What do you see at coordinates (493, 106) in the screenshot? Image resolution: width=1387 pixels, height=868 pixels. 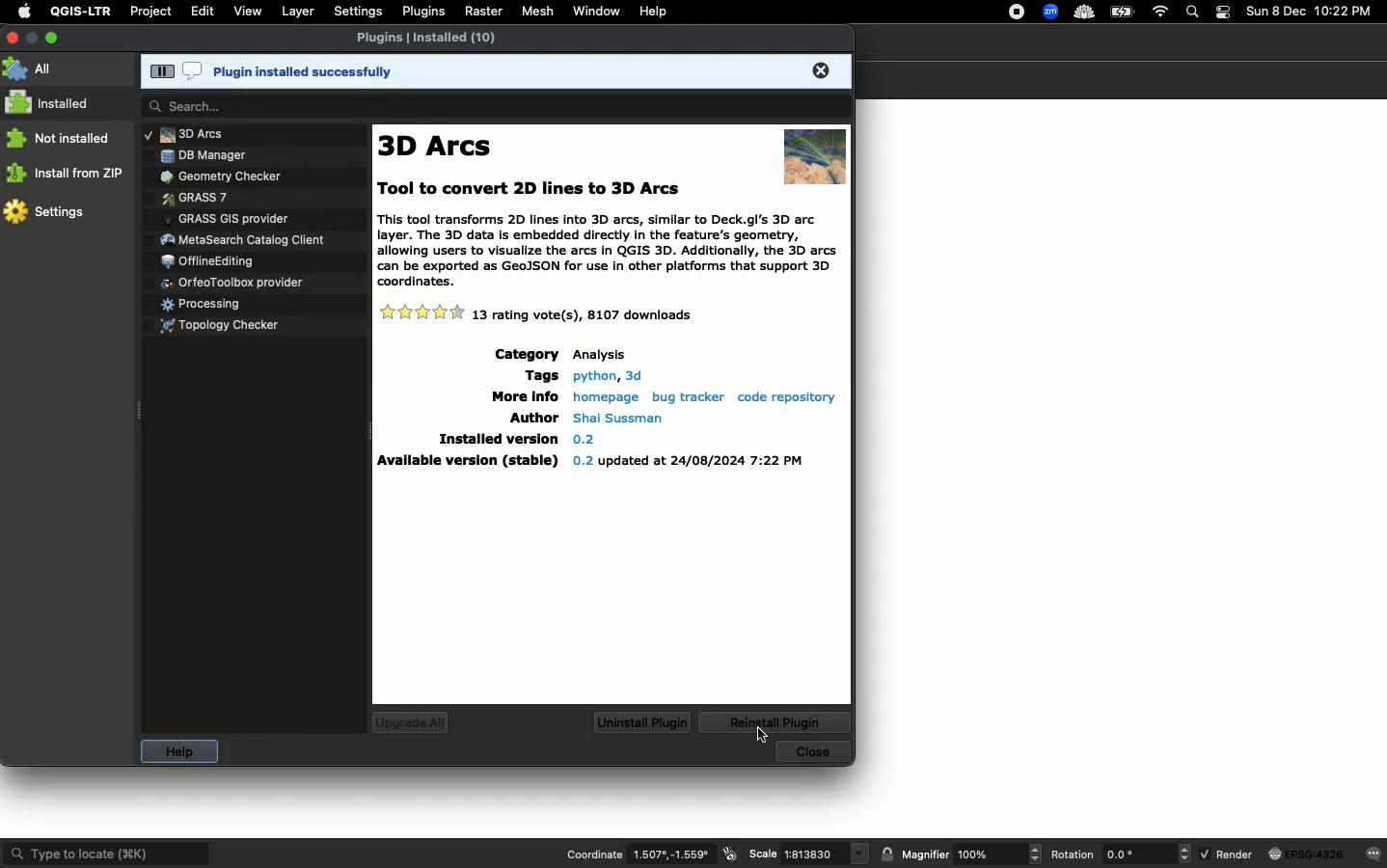 I see `Search` at bounding box center [493, 106].